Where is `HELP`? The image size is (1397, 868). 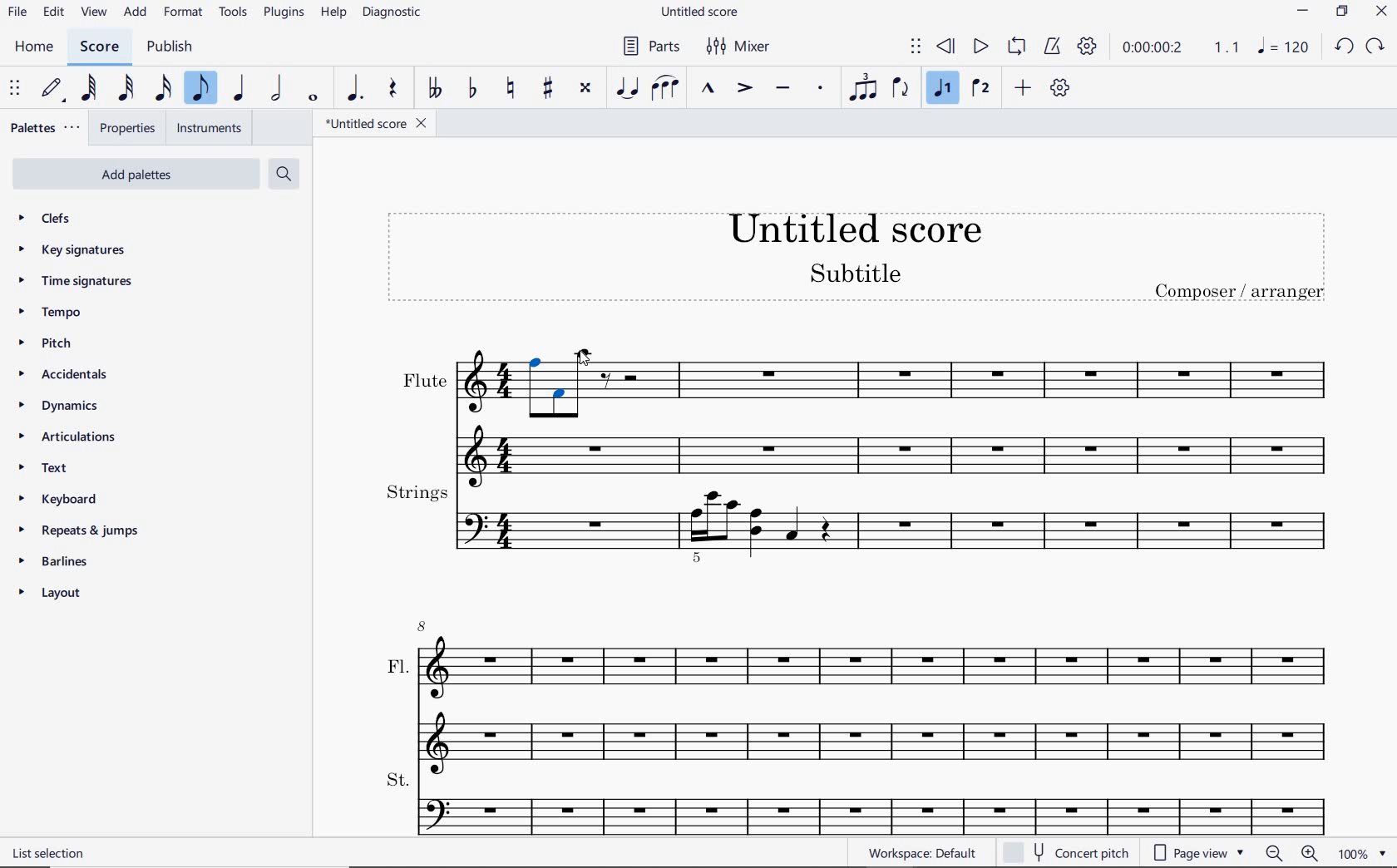 HELP is located at coordinates (333, 14).